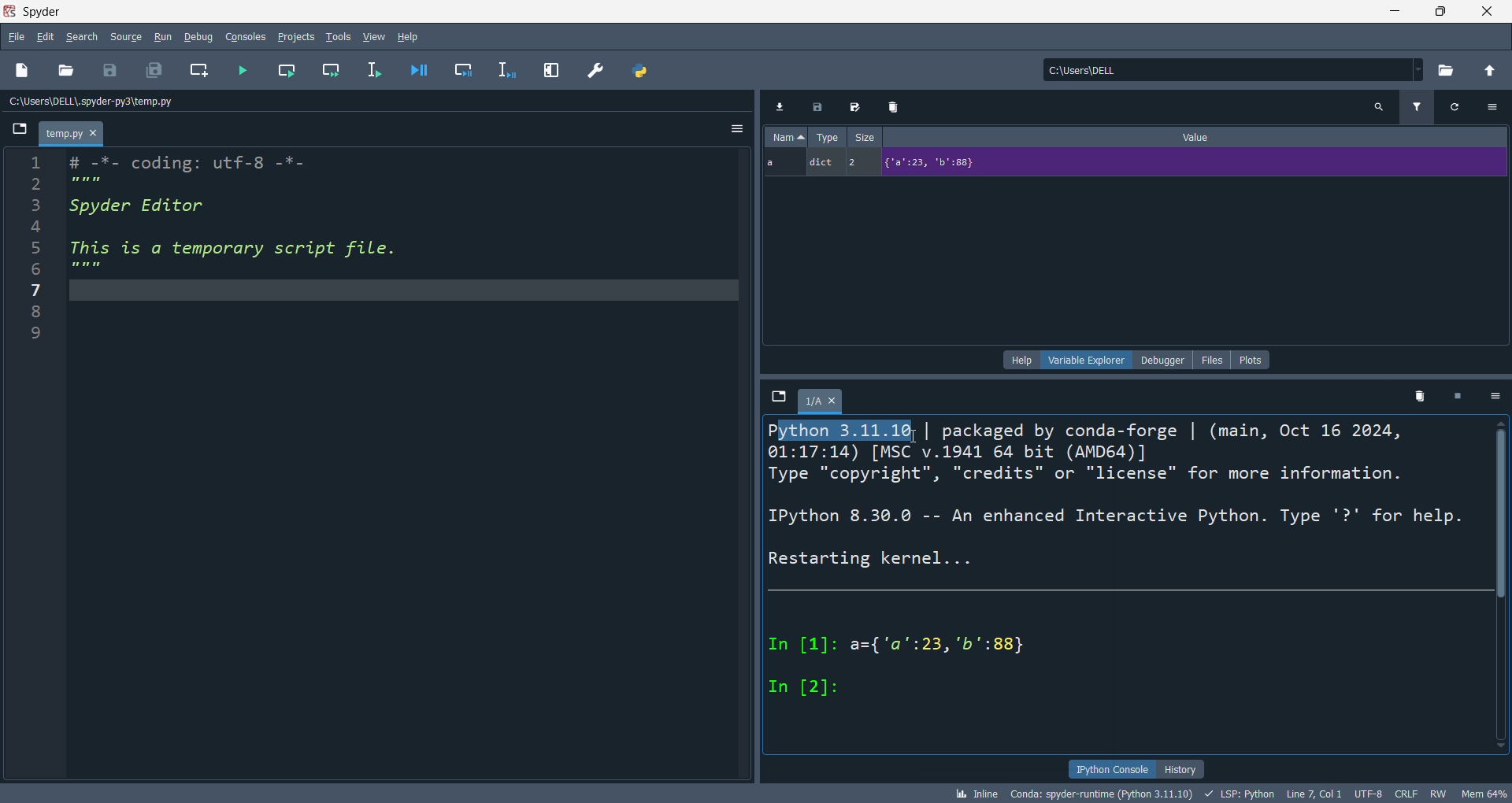 This screenshot has height=803, width=1512. Describe the element at coordinates (1503, 590) in the screenshot. I see `scroll bar` at that location.